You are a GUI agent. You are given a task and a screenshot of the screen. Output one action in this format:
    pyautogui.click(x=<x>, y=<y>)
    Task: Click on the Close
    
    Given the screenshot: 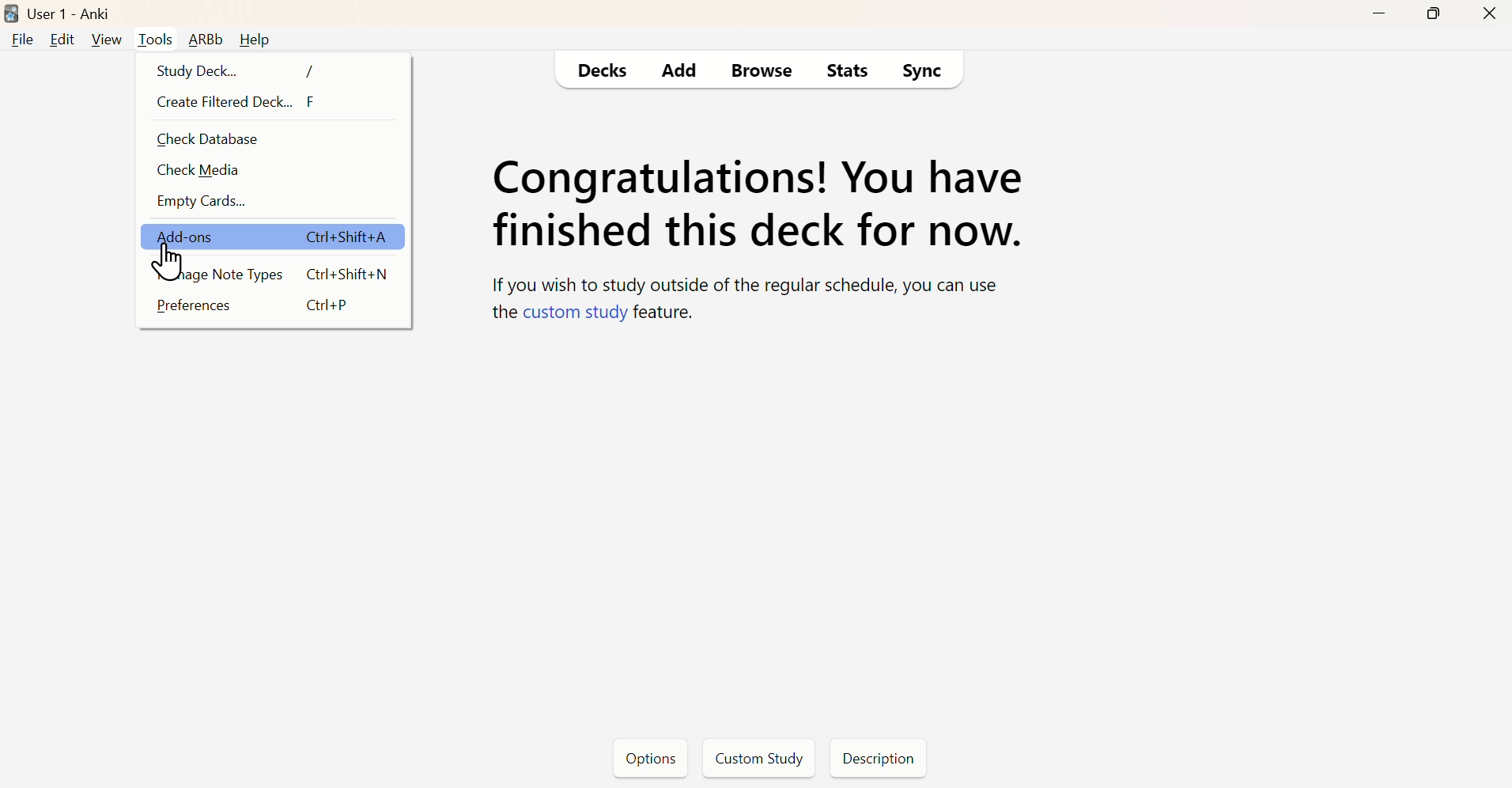 What is the action you would take?
    pyautogui.click(x=1495, y=13)
    